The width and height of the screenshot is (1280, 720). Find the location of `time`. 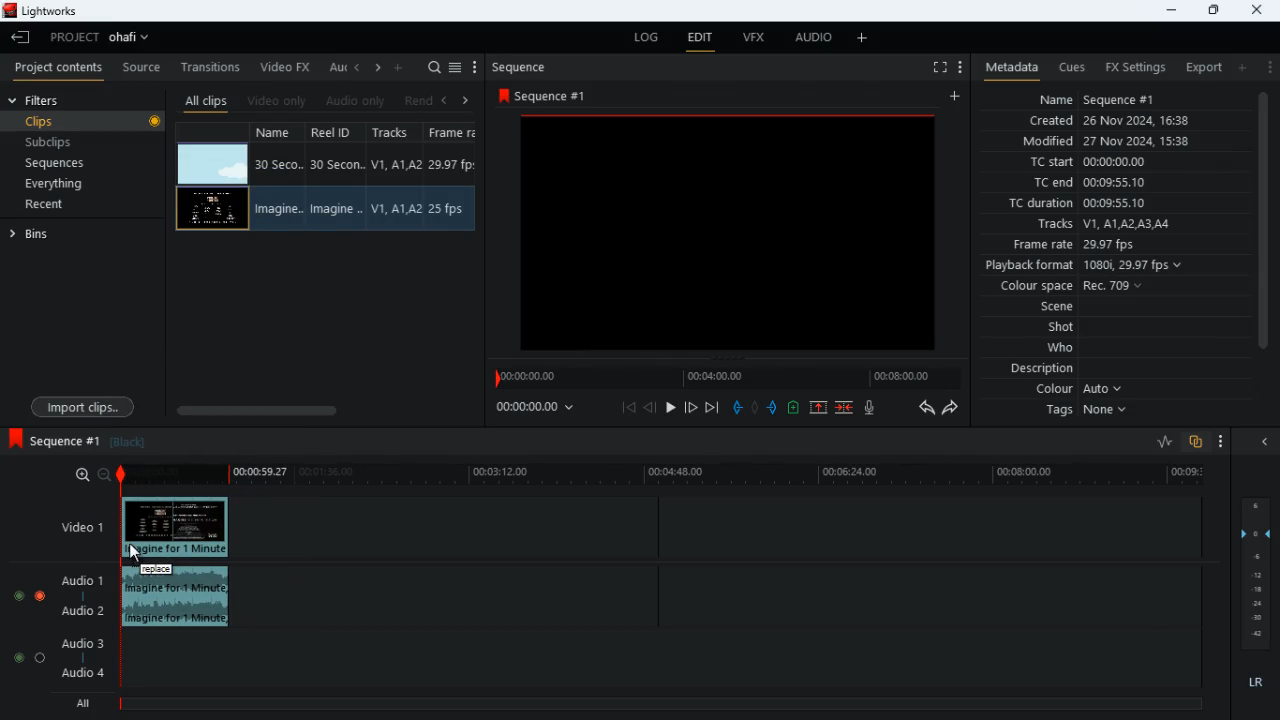

time is located at coordinates (542, 410).